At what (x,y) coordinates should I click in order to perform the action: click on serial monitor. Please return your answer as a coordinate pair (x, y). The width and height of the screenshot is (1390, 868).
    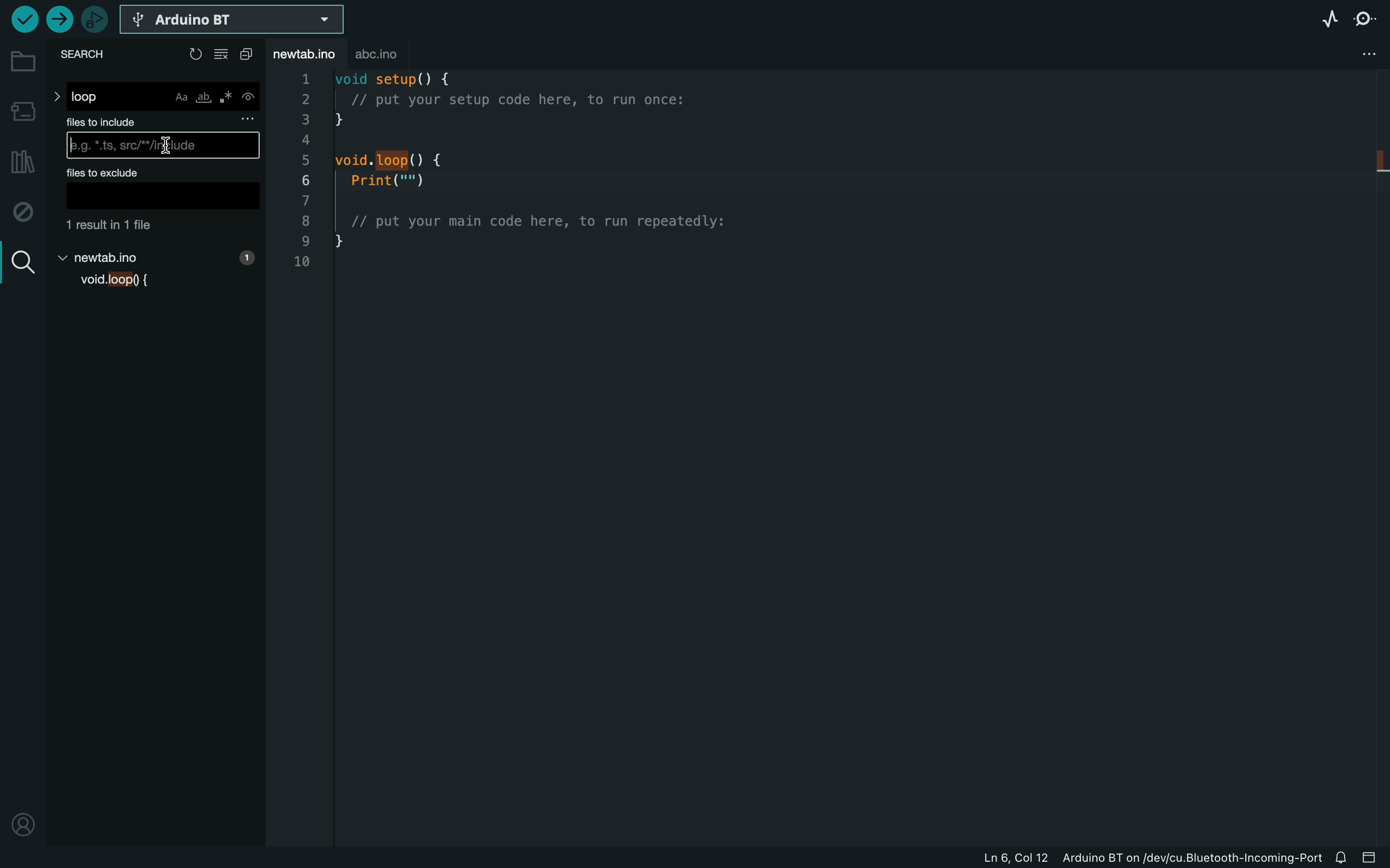
    Looking at the image, I should click on (1369, 16).